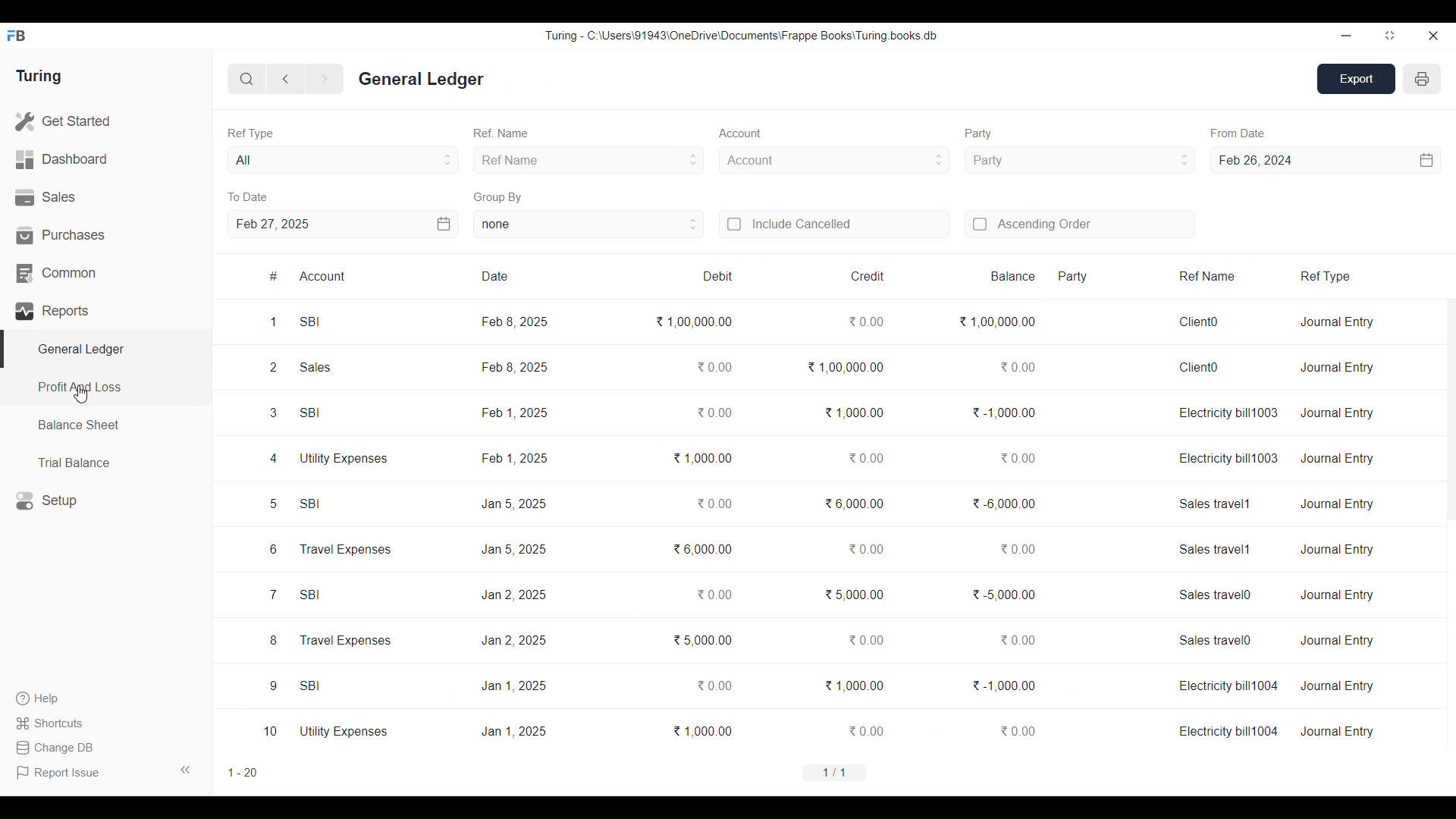  Describe the element at coordinates (1257, 160) in the screenshot. I see `Feb 26, 2024` at that location.